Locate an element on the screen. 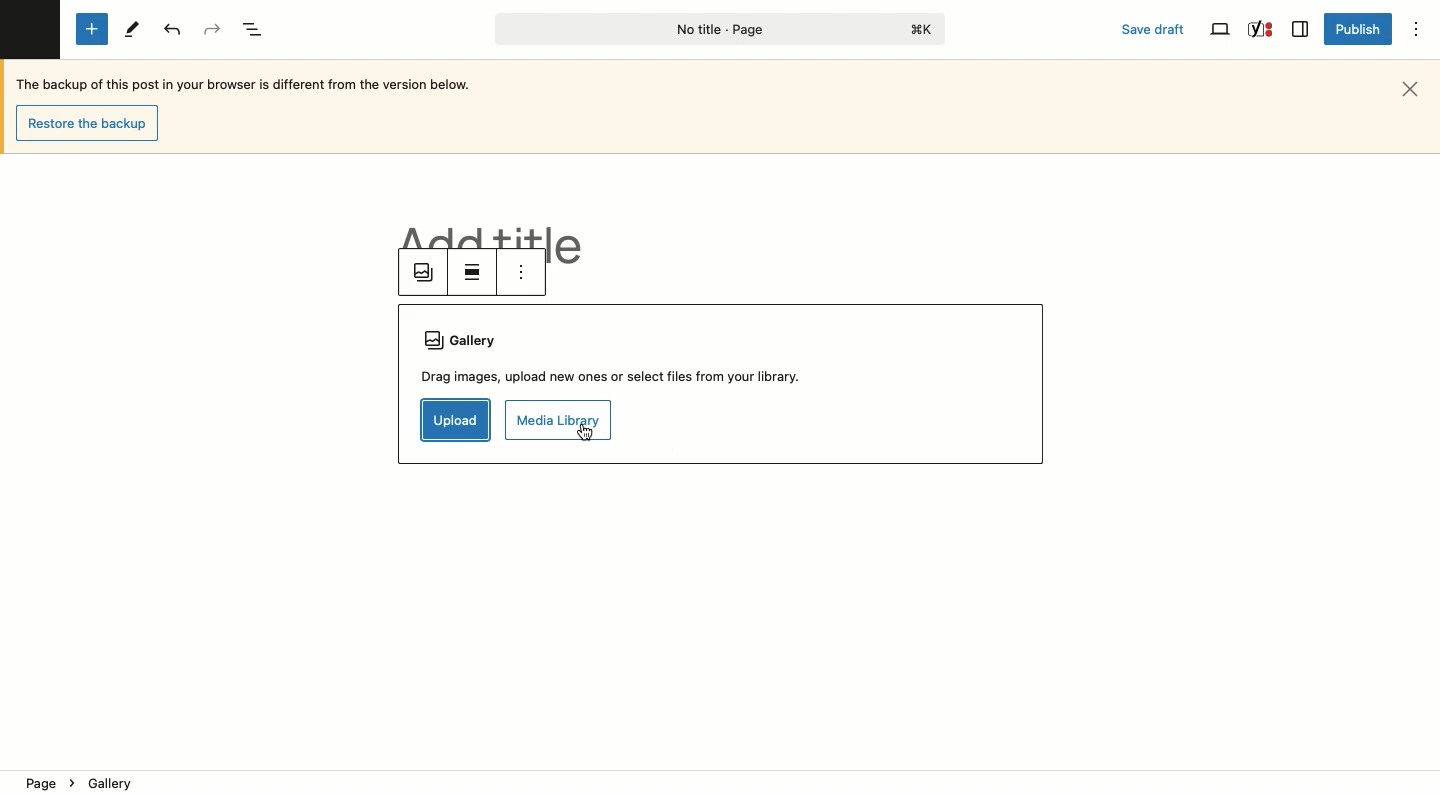  Save draft is located at coordinates (1156, 31).